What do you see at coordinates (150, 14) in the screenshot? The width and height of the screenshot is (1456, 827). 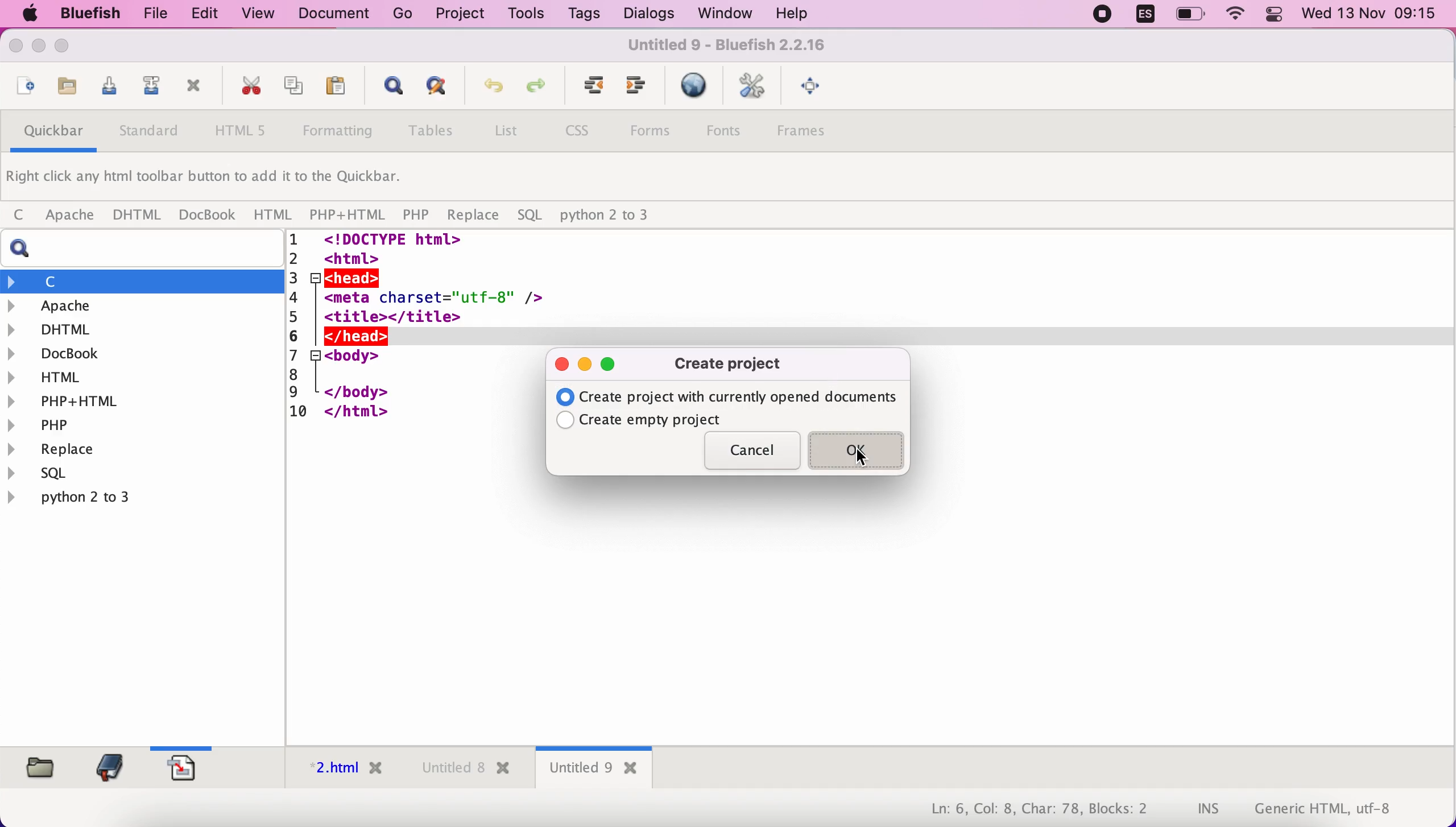 I see `file` at bounding box center [150, 14].